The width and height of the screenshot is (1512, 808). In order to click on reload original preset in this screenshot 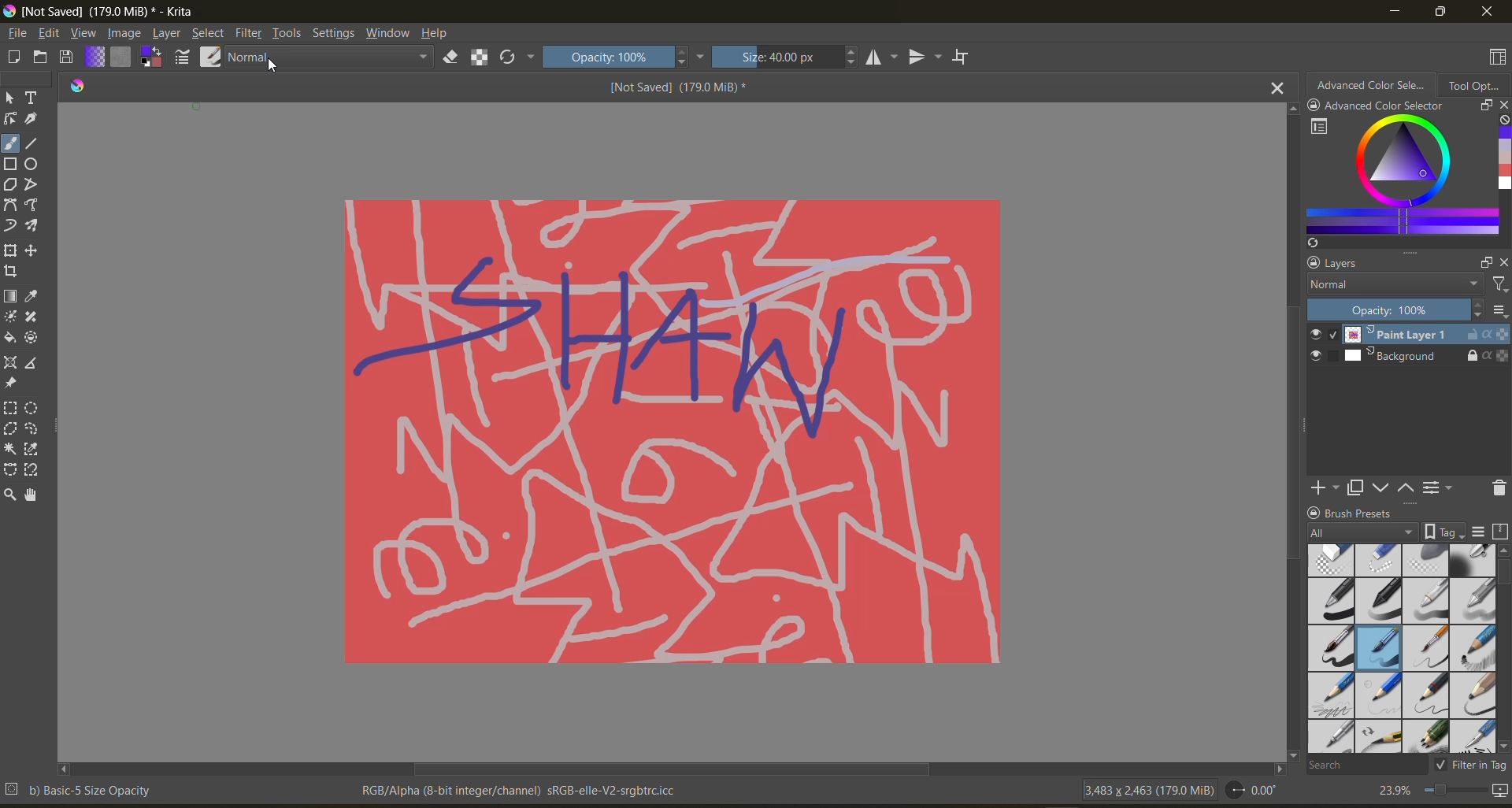, I will do `click(517, 60)`.